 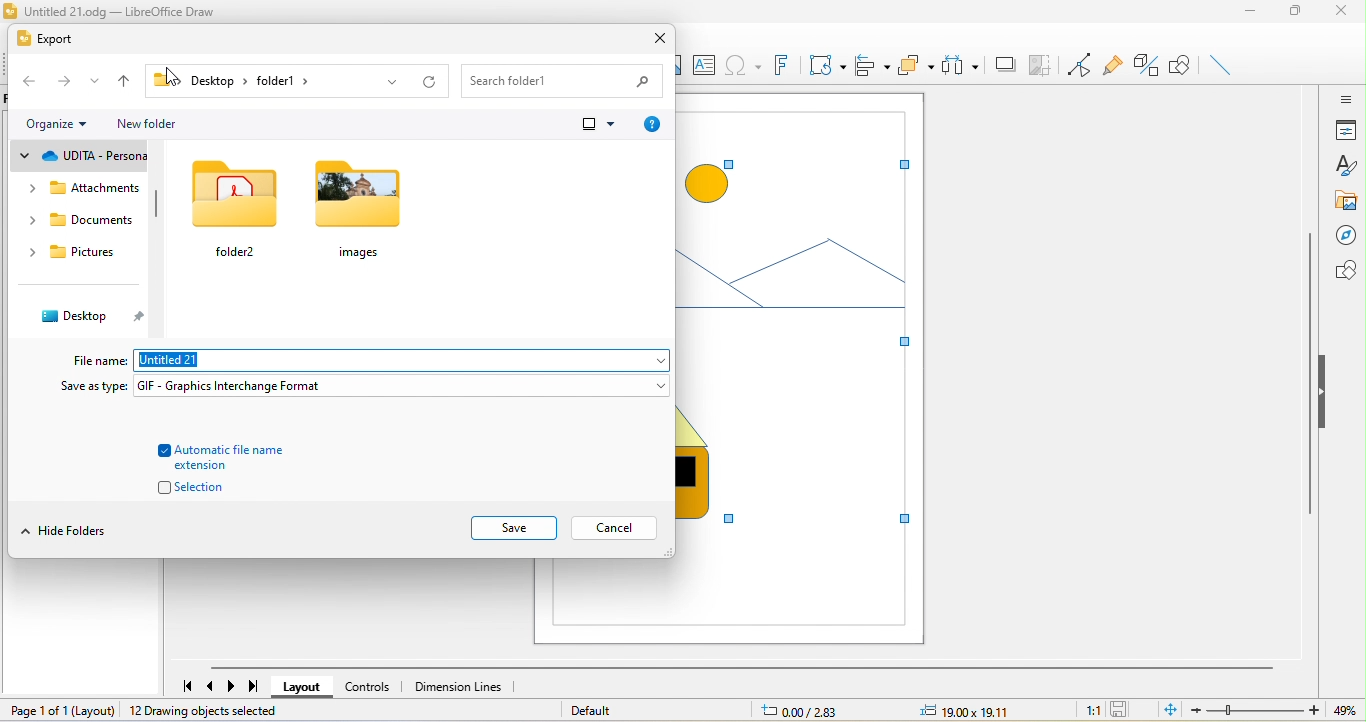 What do you see at coordinates (1327, 395) in the screenshot?
I see `hide` at bounding box center [1327, 395].